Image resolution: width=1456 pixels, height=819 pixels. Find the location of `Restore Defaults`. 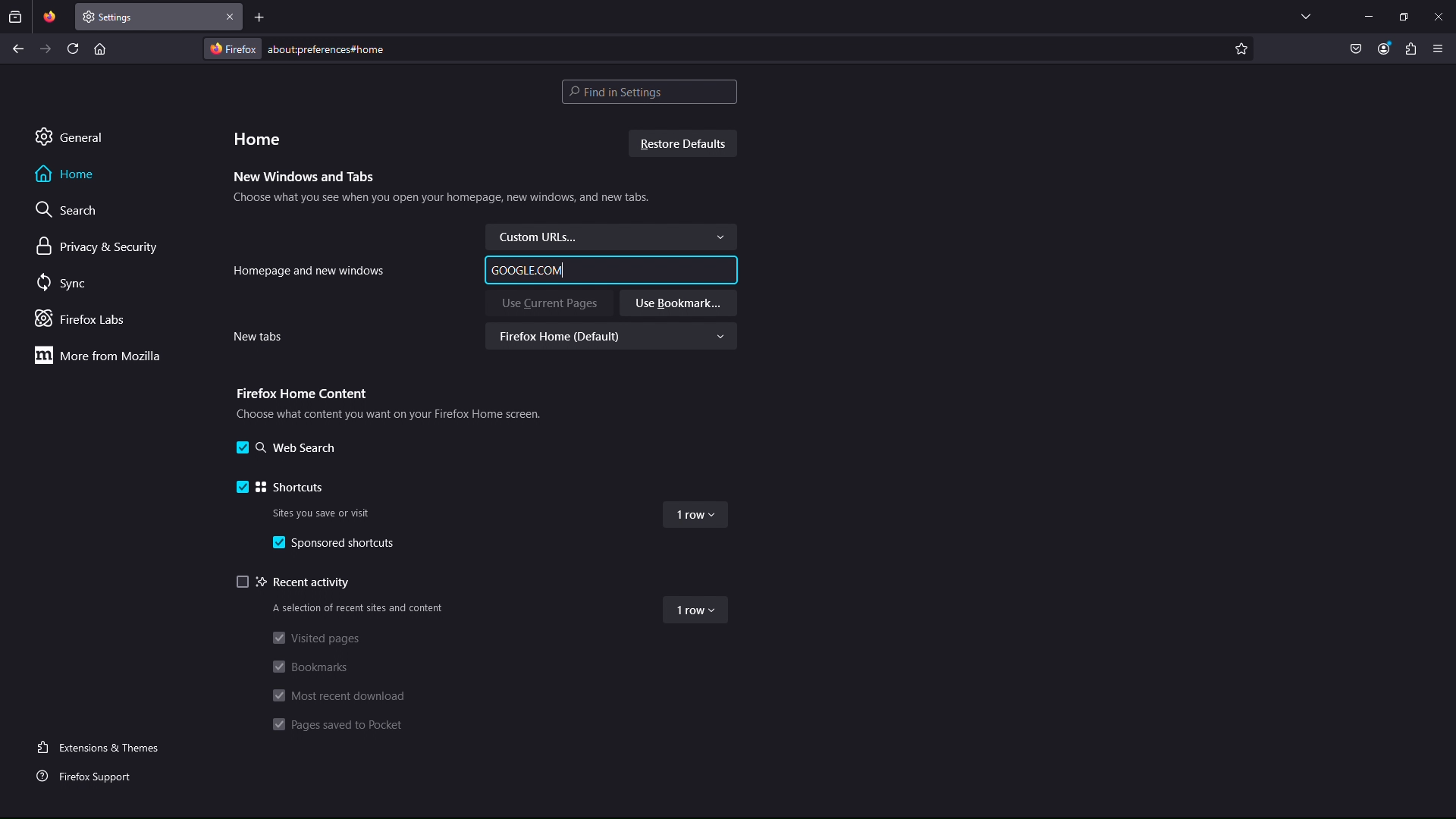

Restore Defaults is located at coordinates (686, 145).